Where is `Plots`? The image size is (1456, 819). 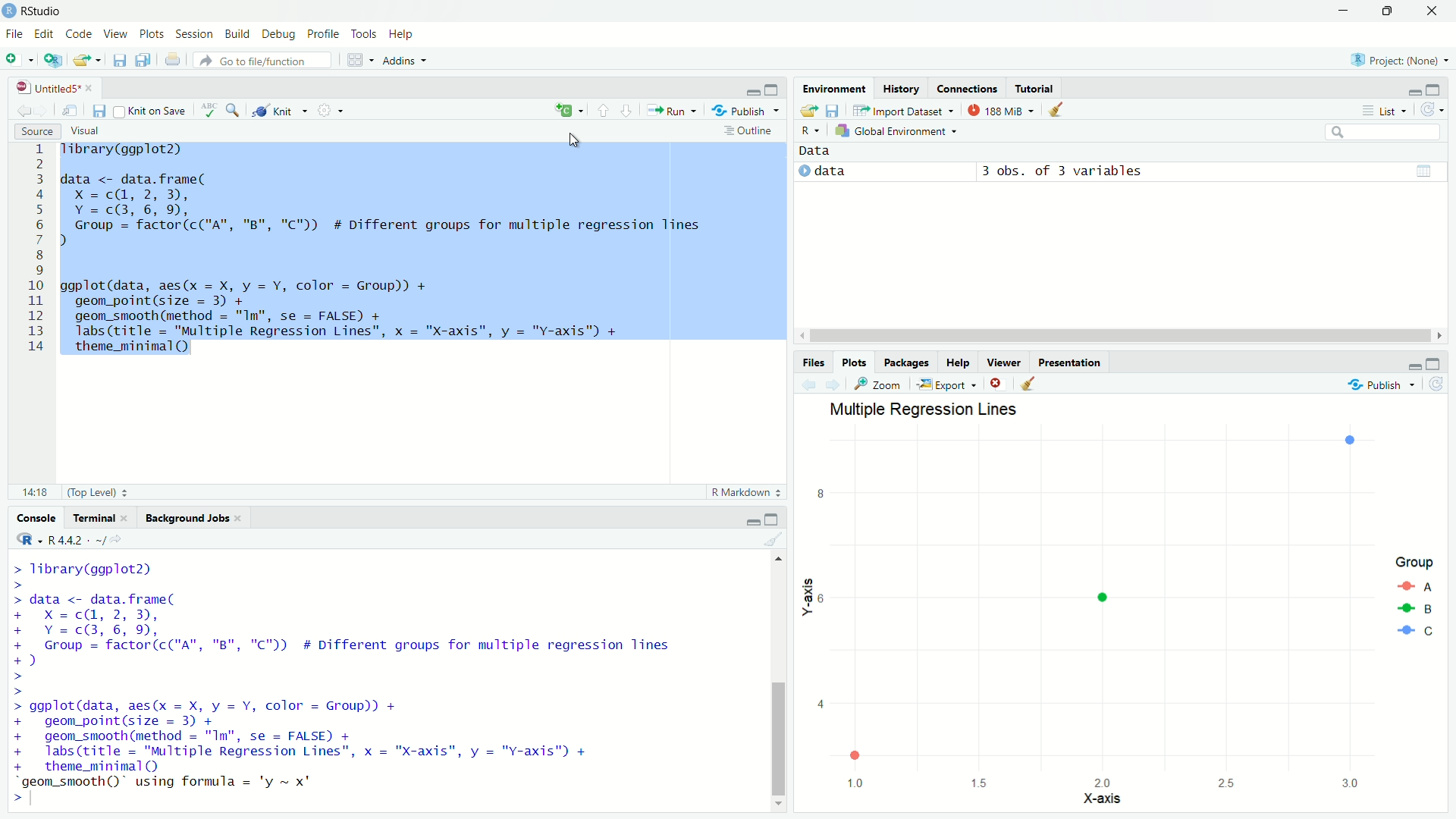
Plots is located at coordinates (152, 35).